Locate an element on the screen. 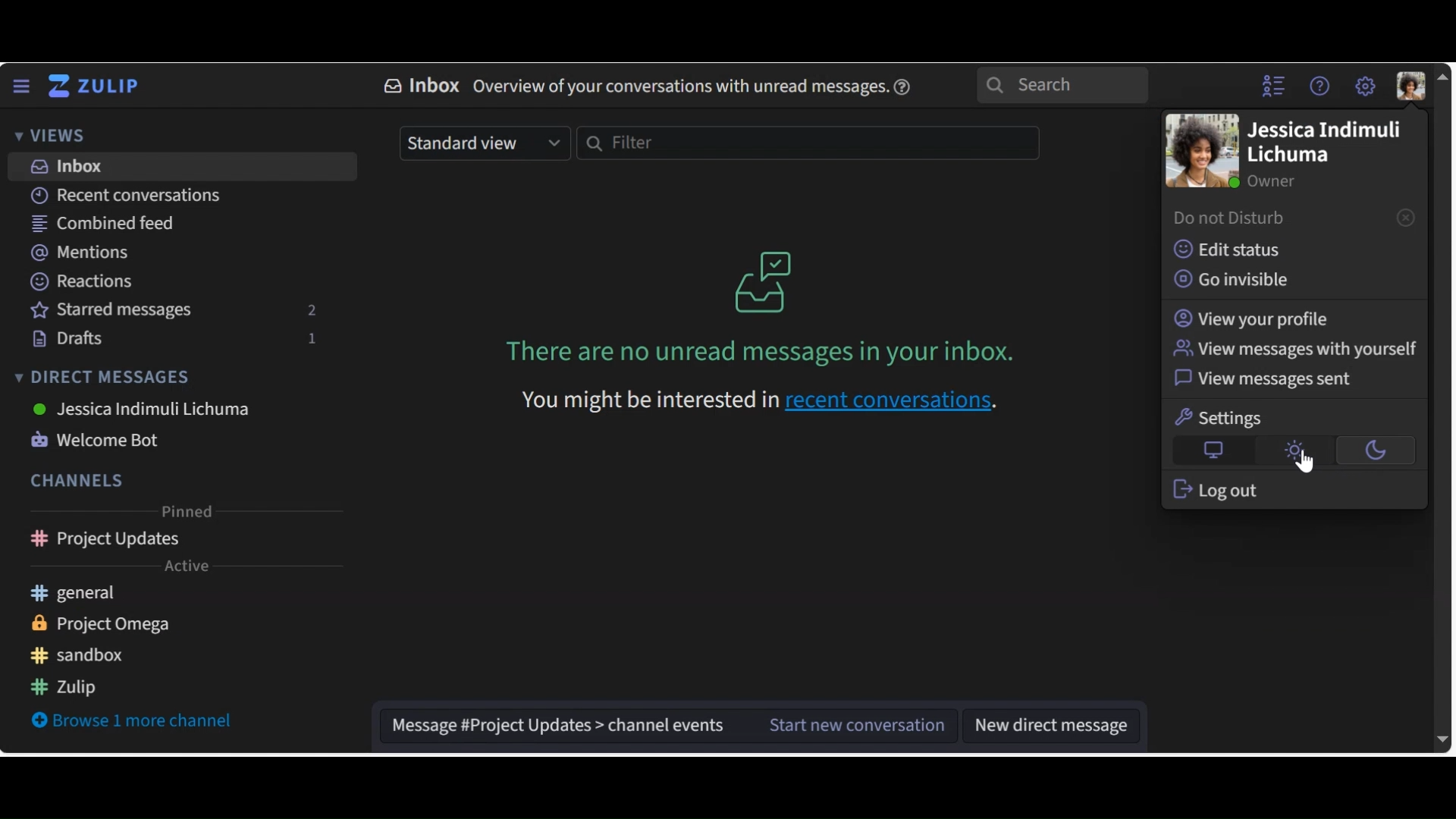 The height and width of the screenshot is (819, 1456). Automatic theme is located at coordinates (1214, 451).